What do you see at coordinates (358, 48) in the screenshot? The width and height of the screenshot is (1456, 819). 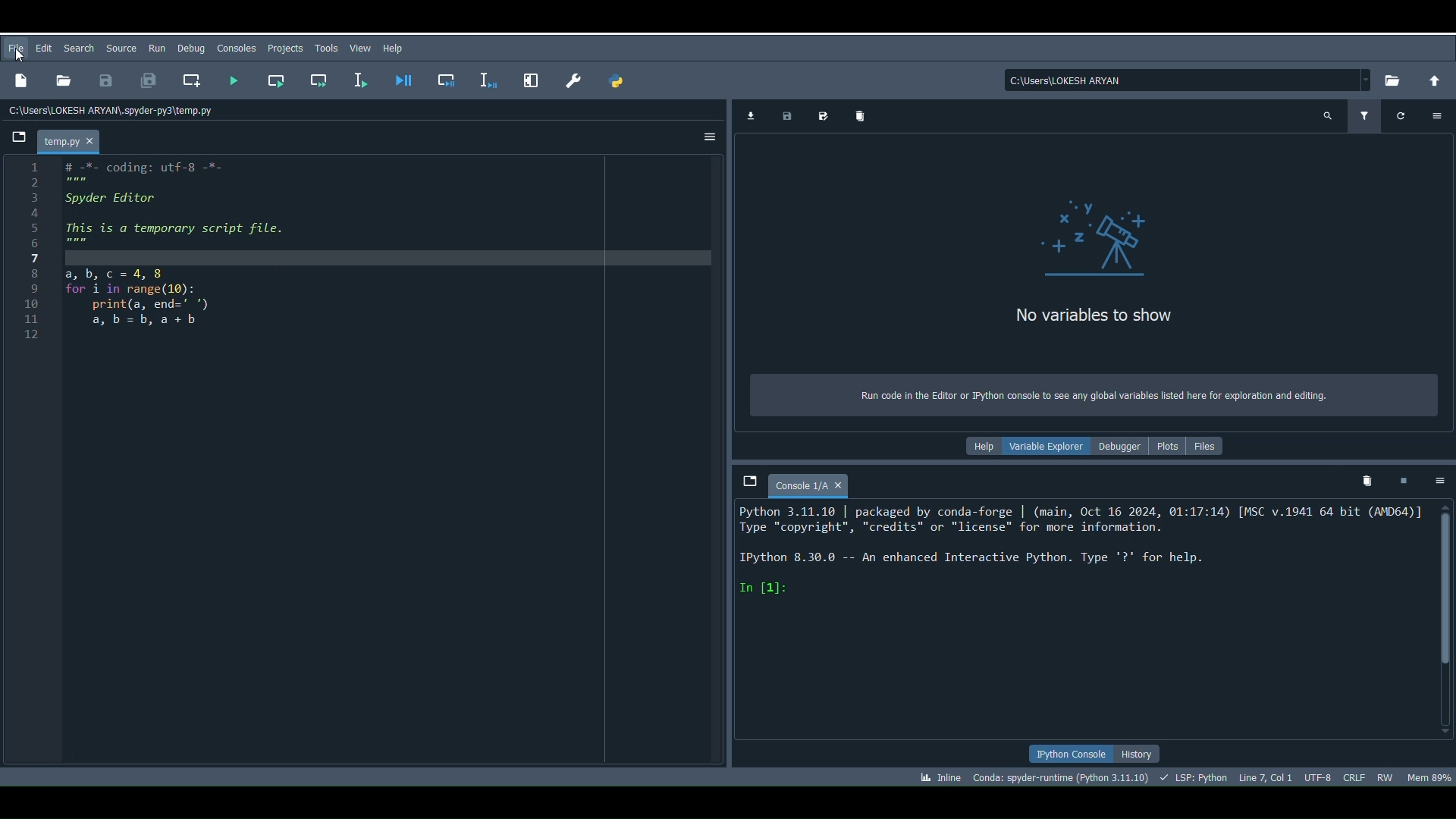 I see `View` at bounding box center [358, 48].